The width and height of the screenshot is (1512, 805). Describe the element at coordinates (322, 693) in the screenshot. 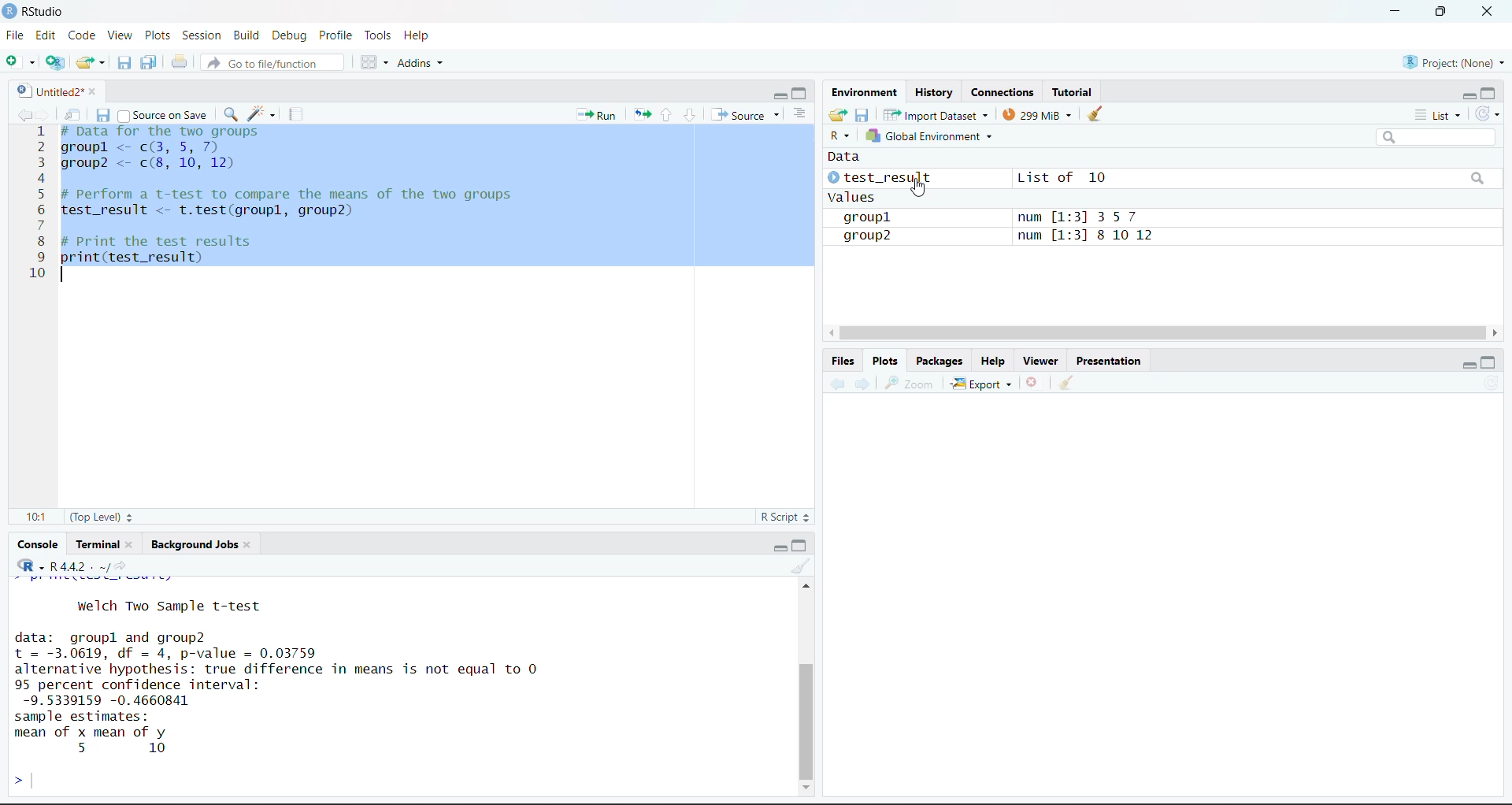

I see `data: groupl and group?
t = -3.0619, df = 4, p-value = 0.03759
alternative hypothesis: true difference in means is not equal to 0
95 percent confidence interval:
-9.5339159 -0.4660841
sample estimates:
mean of x mean of y
5 10` at that location.